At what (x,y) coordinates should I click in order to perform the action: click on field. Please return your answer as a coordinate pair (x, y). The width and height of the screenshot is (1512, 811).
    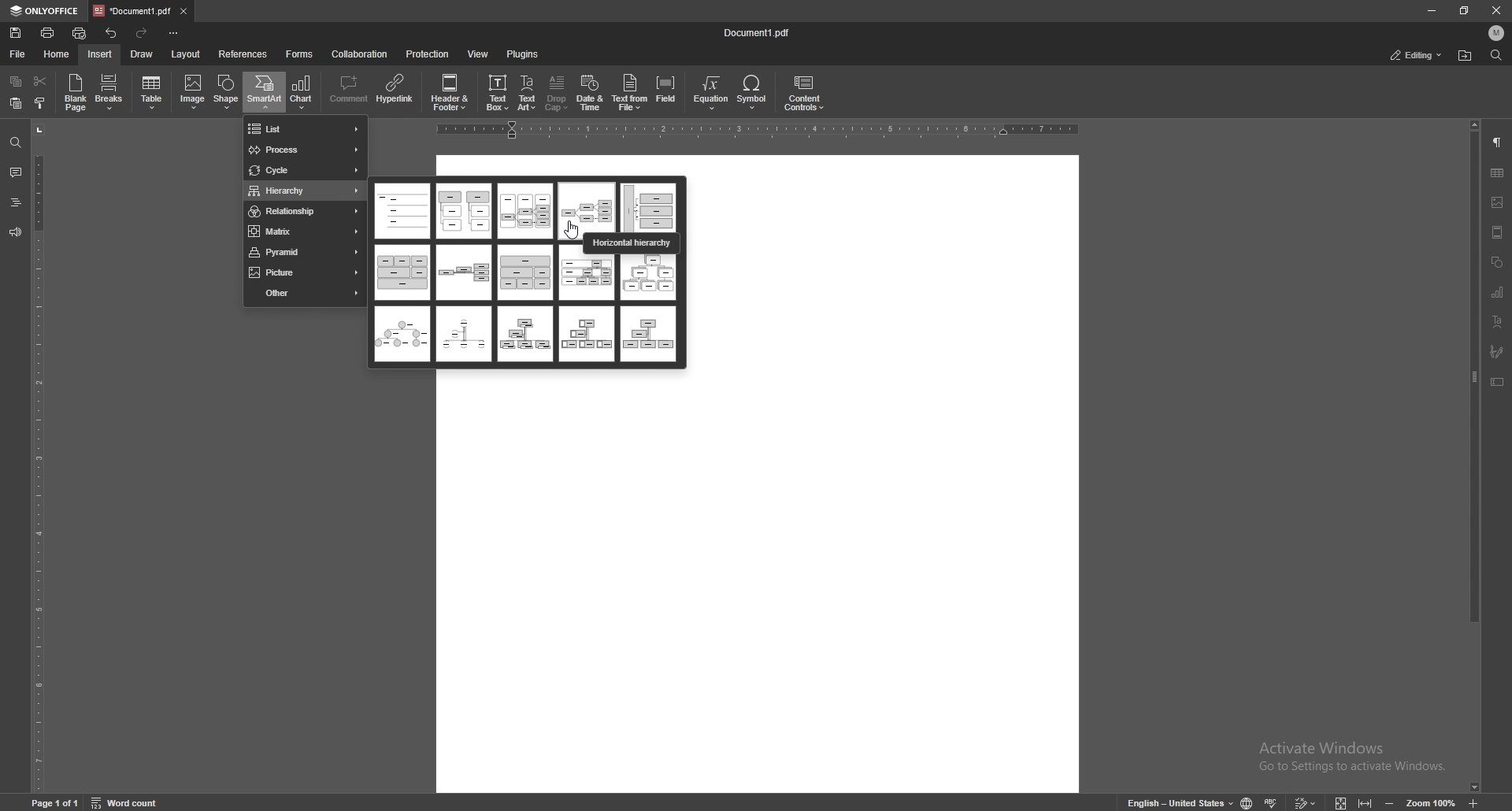
    Looking at the image, I should click on (667, 91).